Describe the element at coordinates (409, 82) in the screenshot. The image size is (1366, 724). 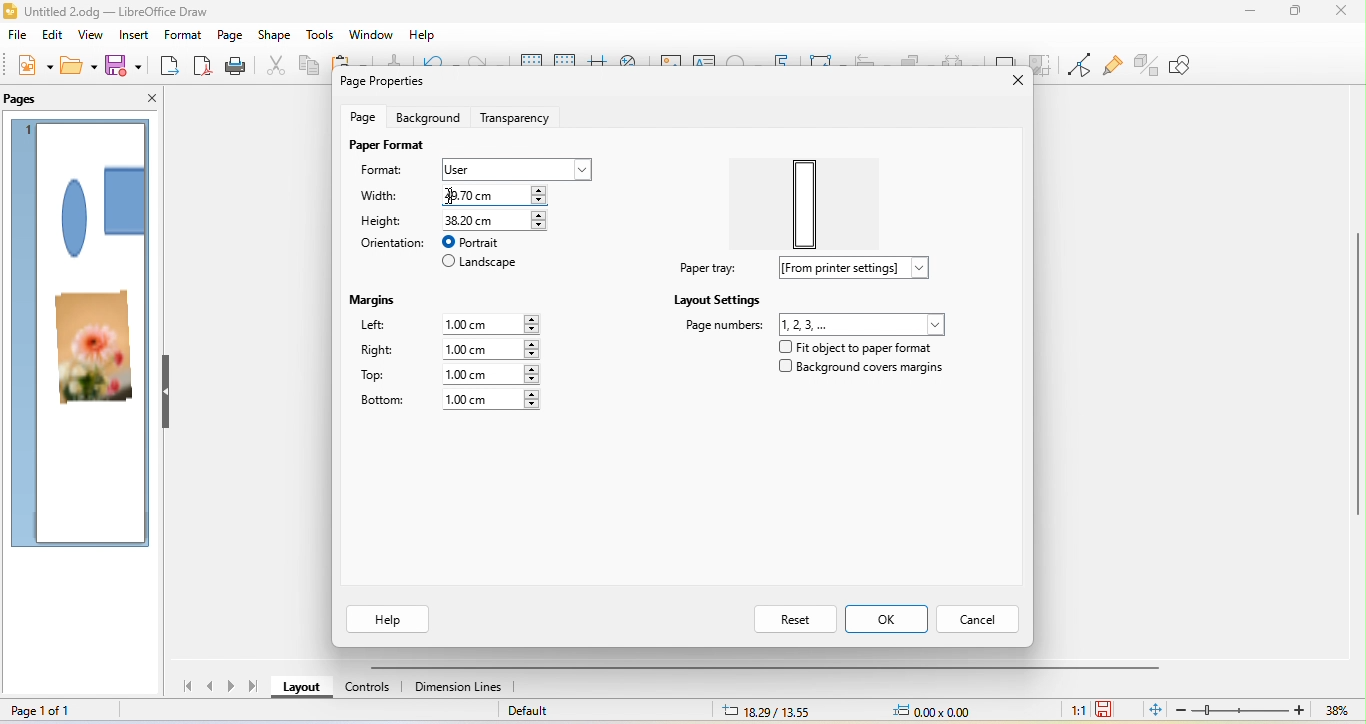
I see `page properties` at that location.